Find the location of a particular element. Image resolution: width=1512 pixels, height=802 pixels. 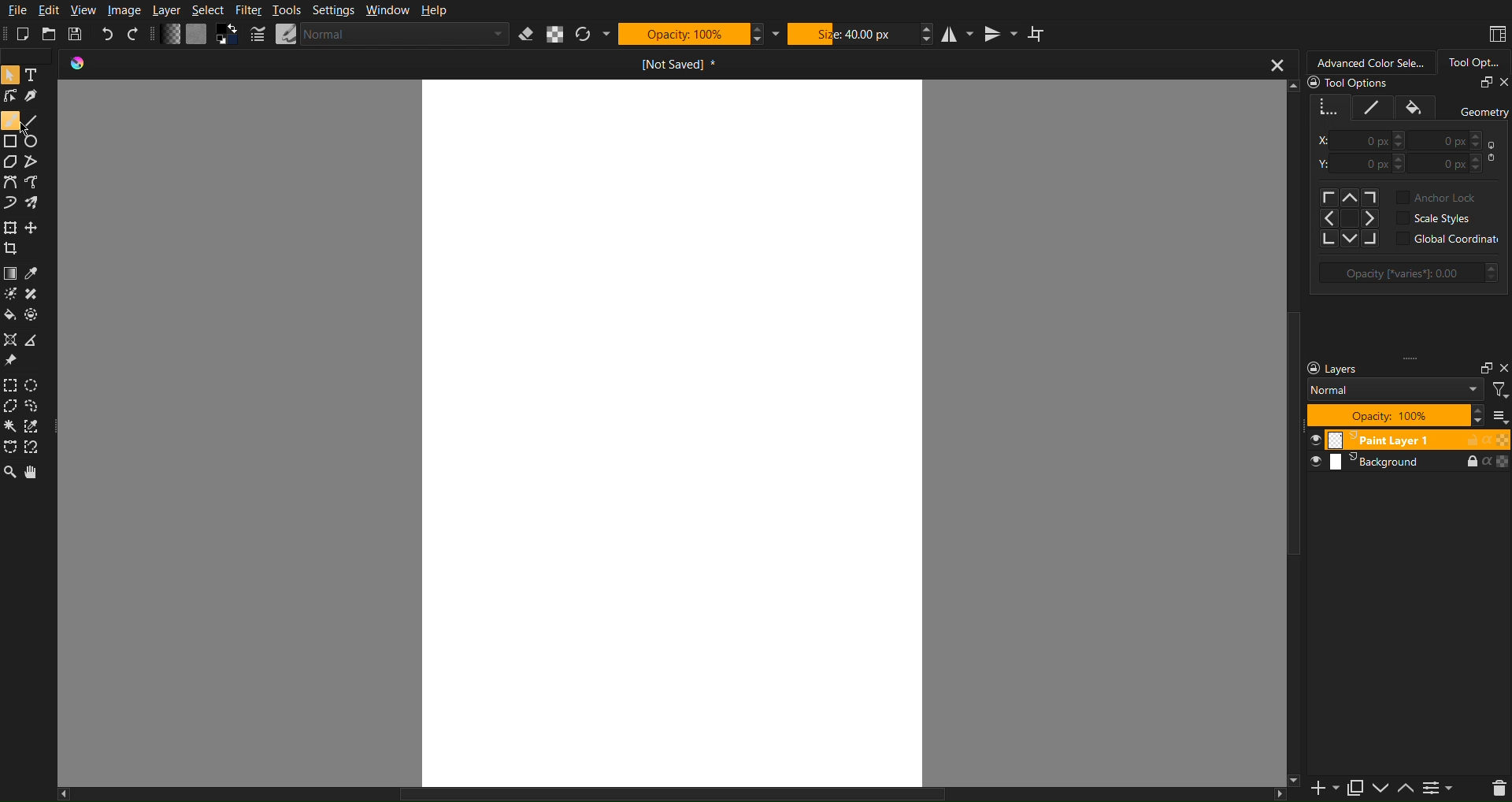

Pin is located at coordinates (12, 361).